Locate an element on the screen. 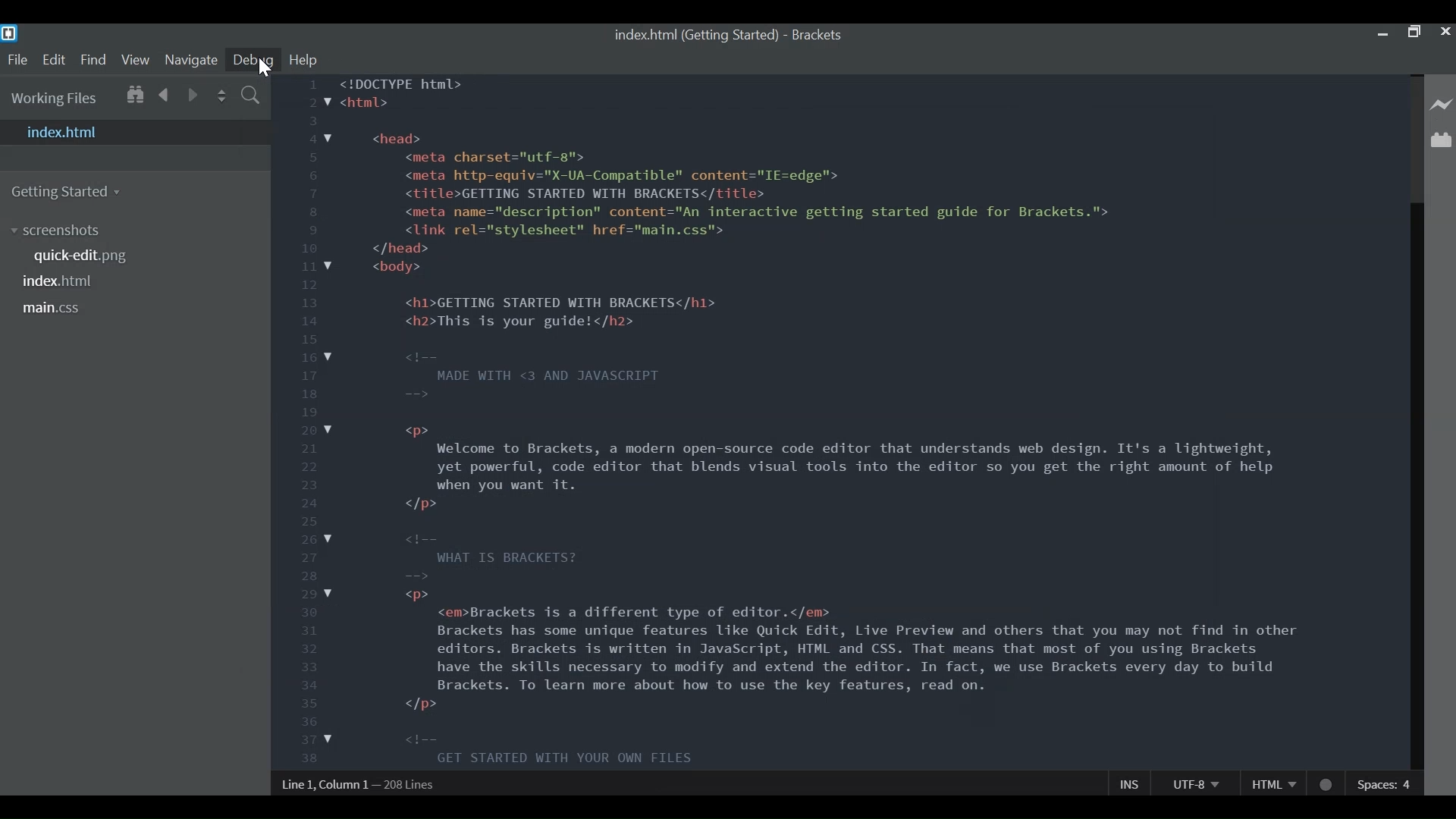 Image resolution: width=1456 pixels, height=819 pixels. index html (Getting Started) - Brackets is located at coordinates (726, 35).